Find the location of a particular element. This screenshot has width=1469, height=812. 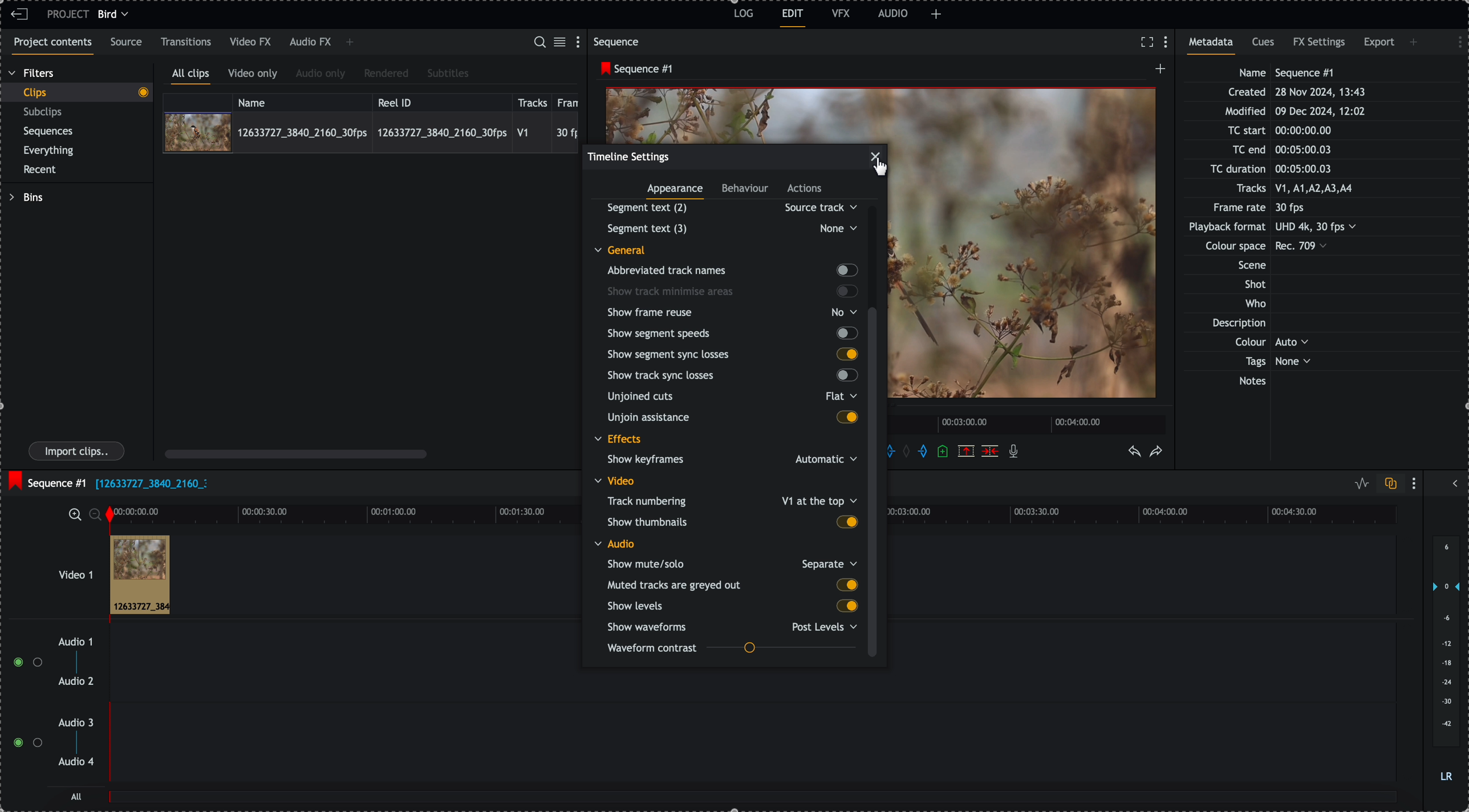

timeline is located at coordinates (343, 513).